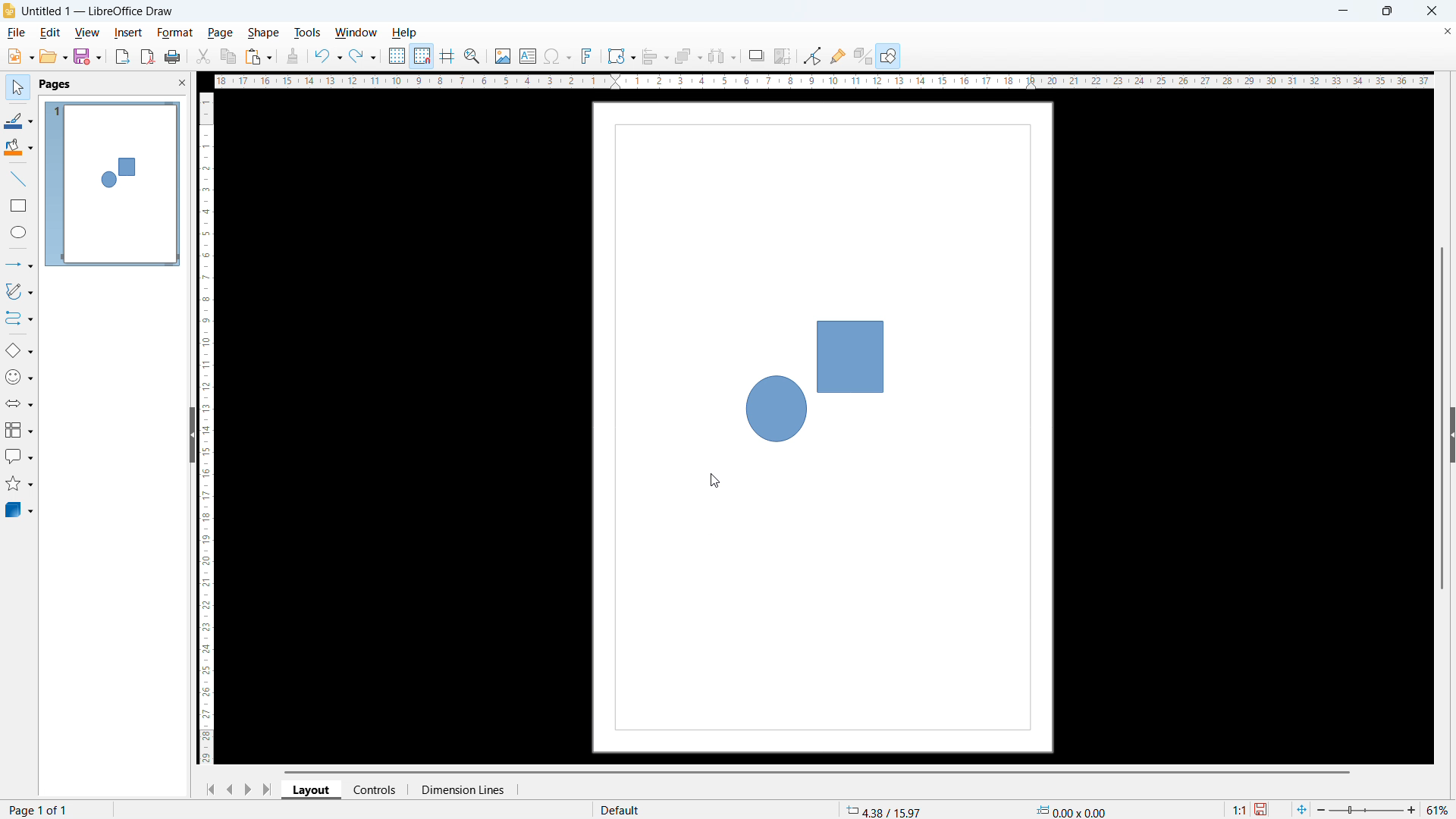 The image size is (1456, 819). What do you see at coordinates (19, 377) in the screenshot?
I see `symbol shapes` at bounding box center [19, 377].